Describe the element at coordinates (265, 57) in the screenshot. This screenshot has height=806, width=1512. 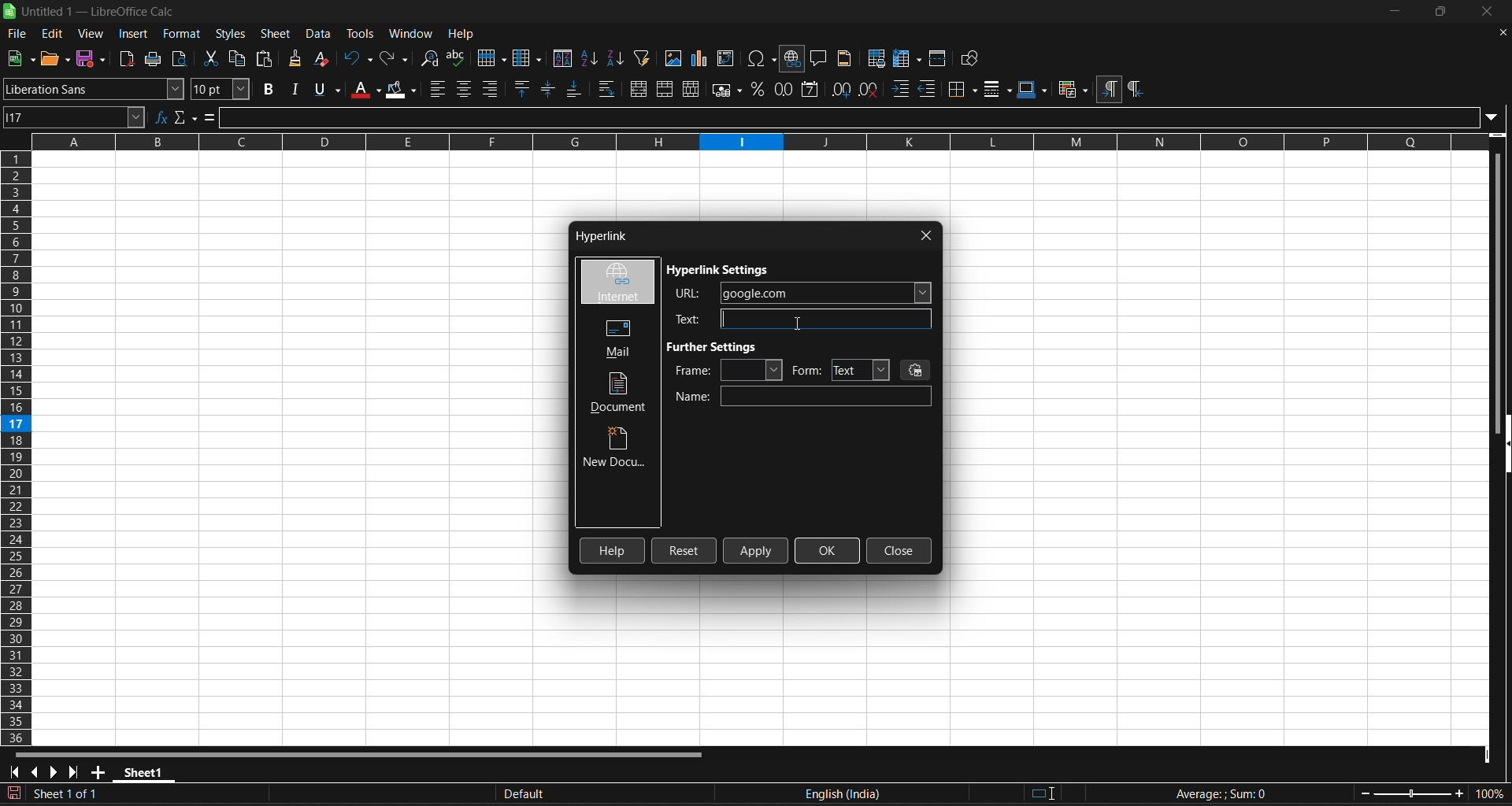
I see `paste` at that location.